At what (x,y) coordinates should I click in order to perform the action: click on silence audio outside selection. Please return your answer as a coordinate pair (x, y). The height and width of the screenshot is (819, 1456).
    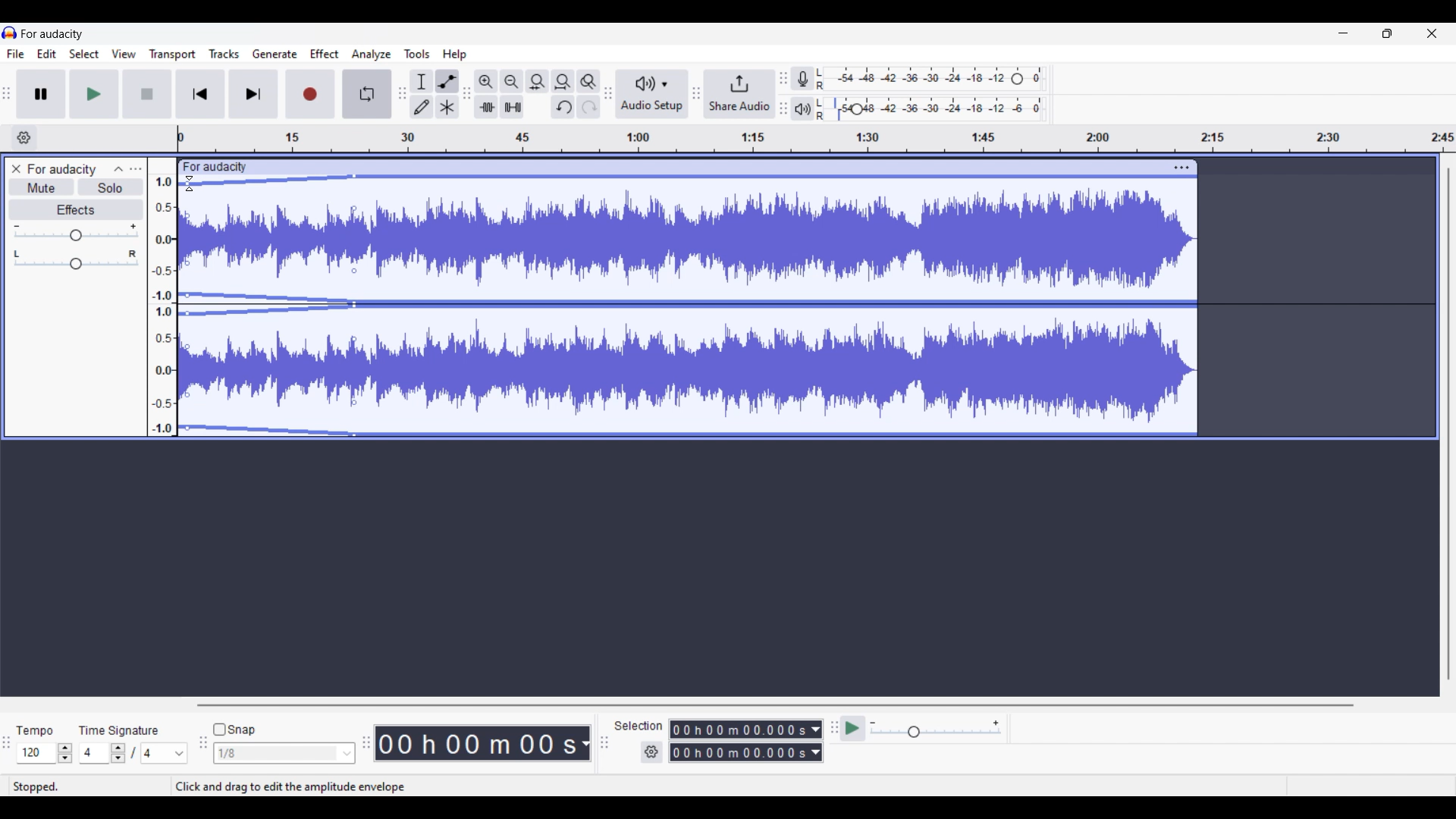
    Looking at the image, I should click on (514, 107).